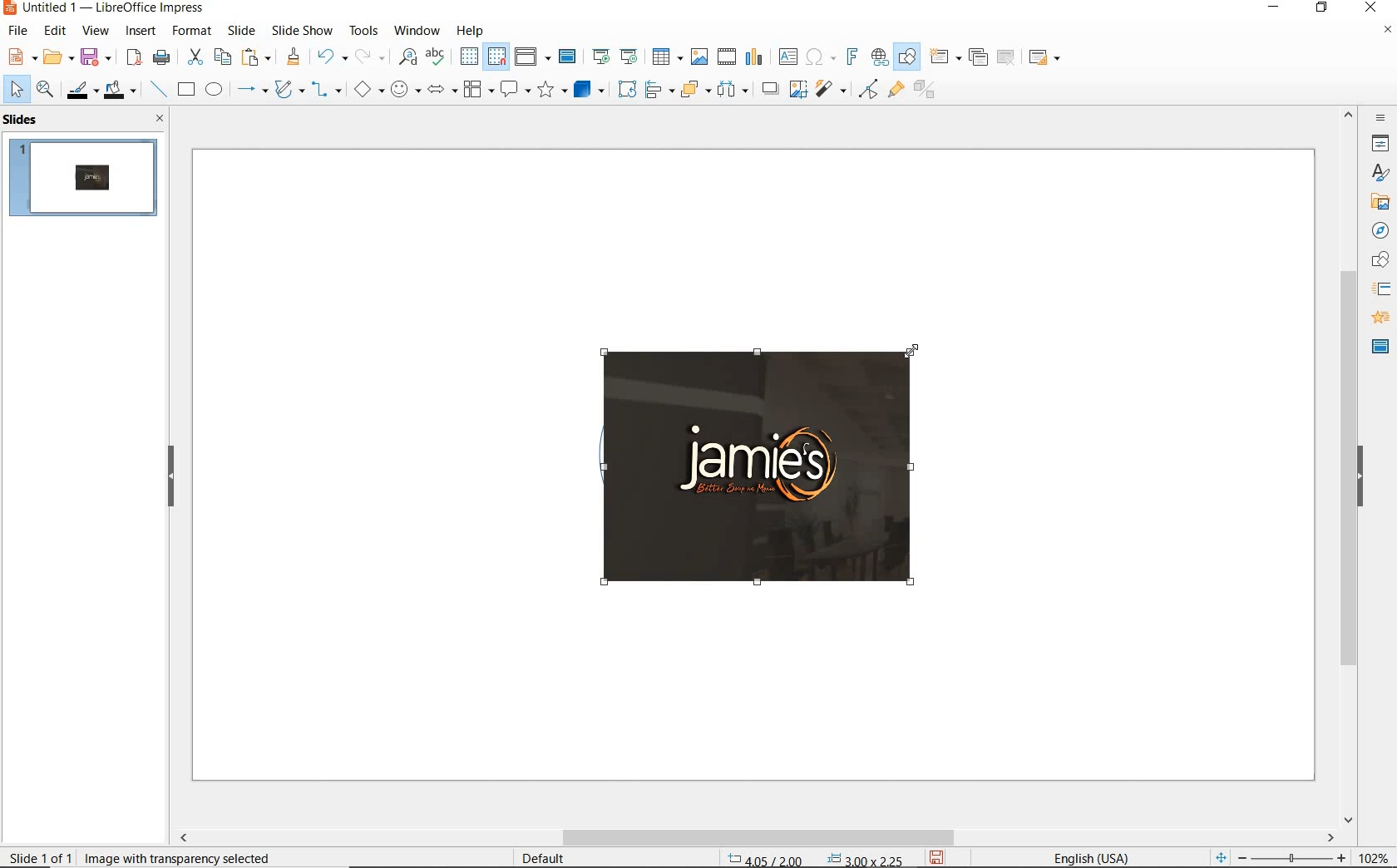 The width and height of the screenshot is (1397, 868). I want to click on tools, so click(363, 30).